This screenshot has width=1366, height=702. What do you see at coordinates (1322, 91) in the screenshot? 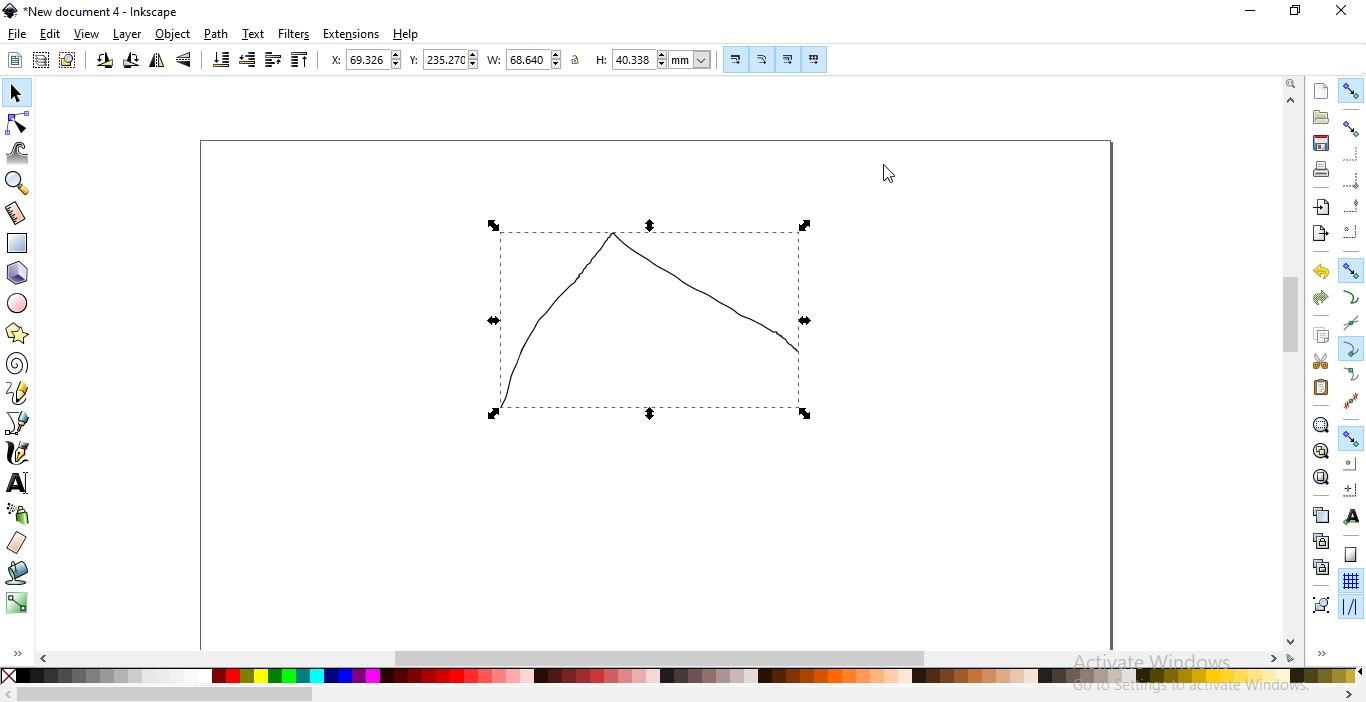
I see `create a document` at bounding box center [1322, 91].